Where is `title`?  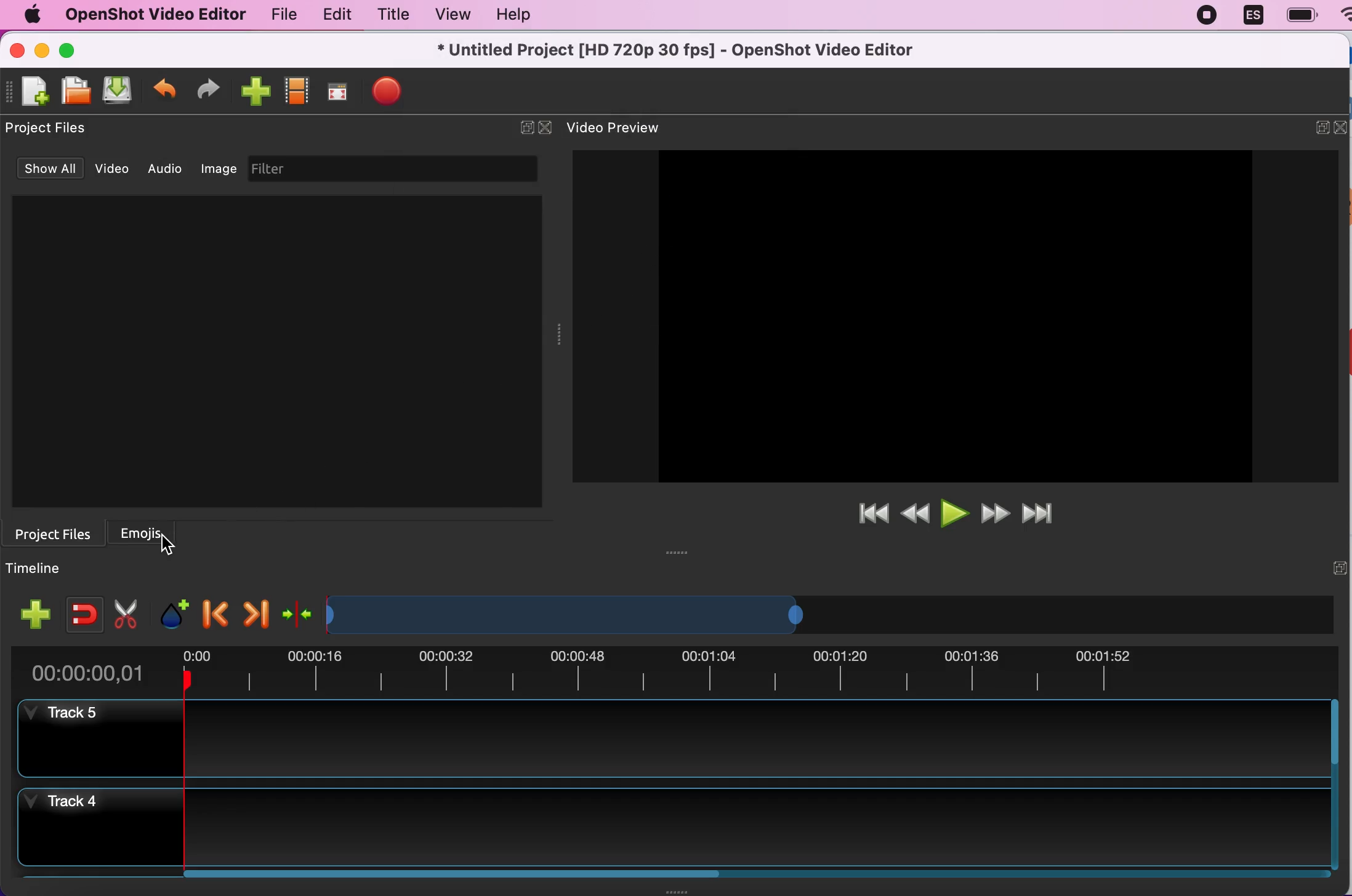 title is located at coordinates (388, 15).